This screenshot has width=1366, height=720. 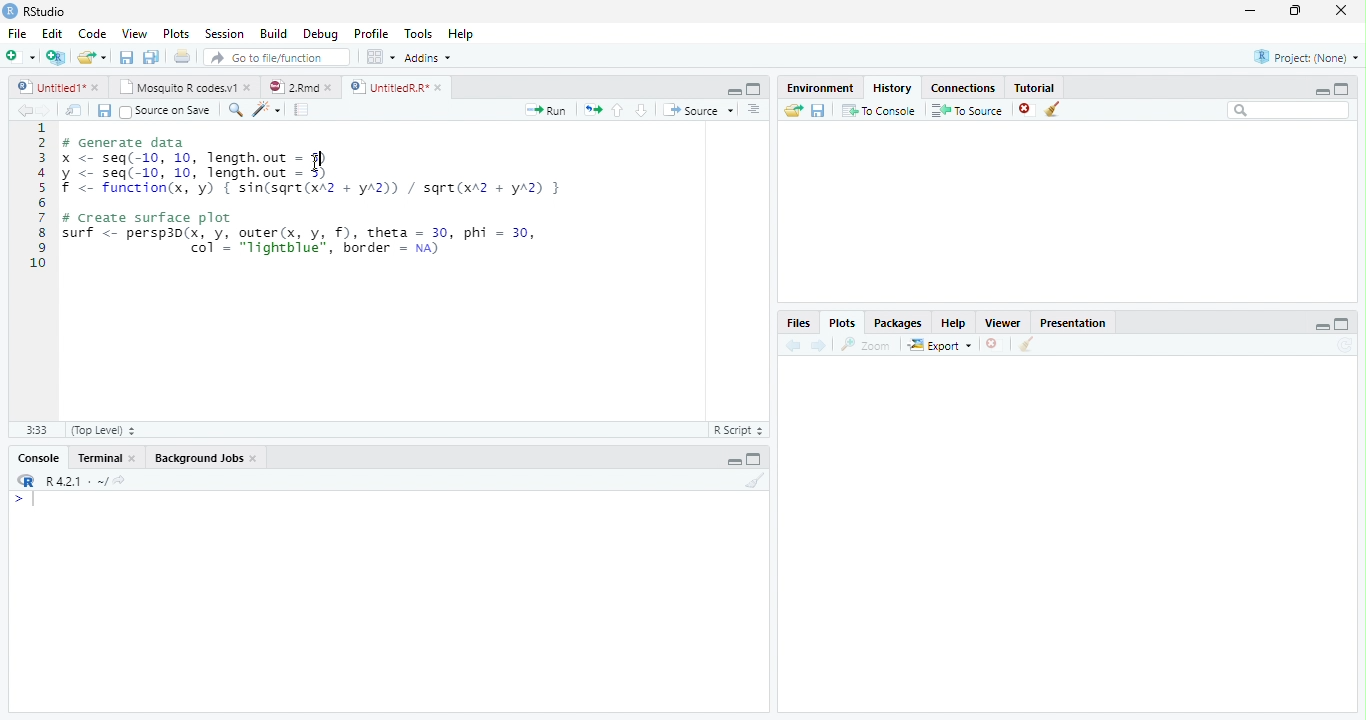 I want to click on Go to file/function, so click(x=277, y=56).